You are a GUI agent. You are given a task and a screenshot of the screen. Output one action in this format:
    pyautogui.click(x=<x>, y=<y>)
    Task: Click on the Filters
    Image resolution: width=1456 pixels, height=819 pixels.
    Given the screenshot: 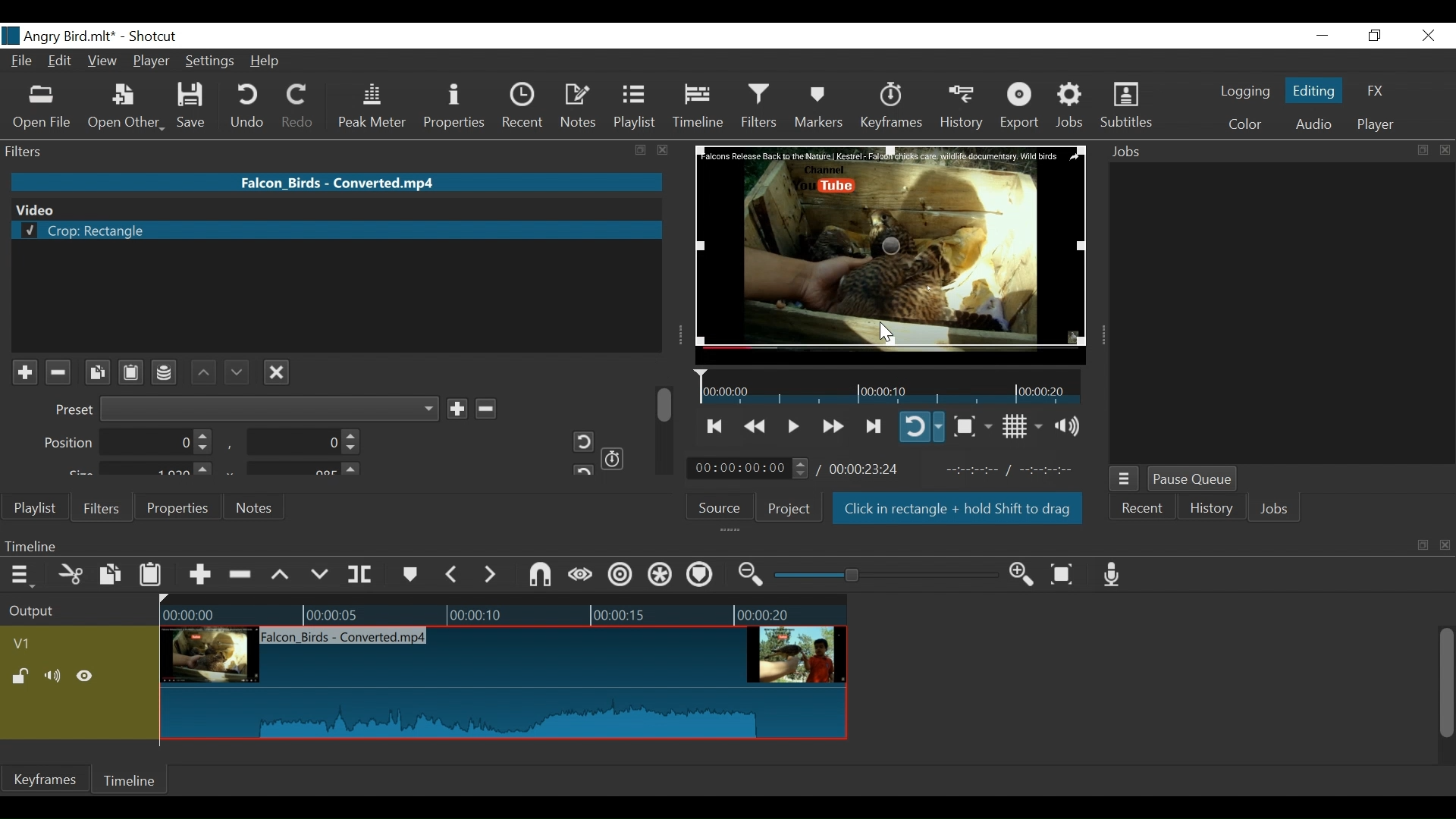 What is the action you would take?
    pyautogui.click(x=99, y=507)
    